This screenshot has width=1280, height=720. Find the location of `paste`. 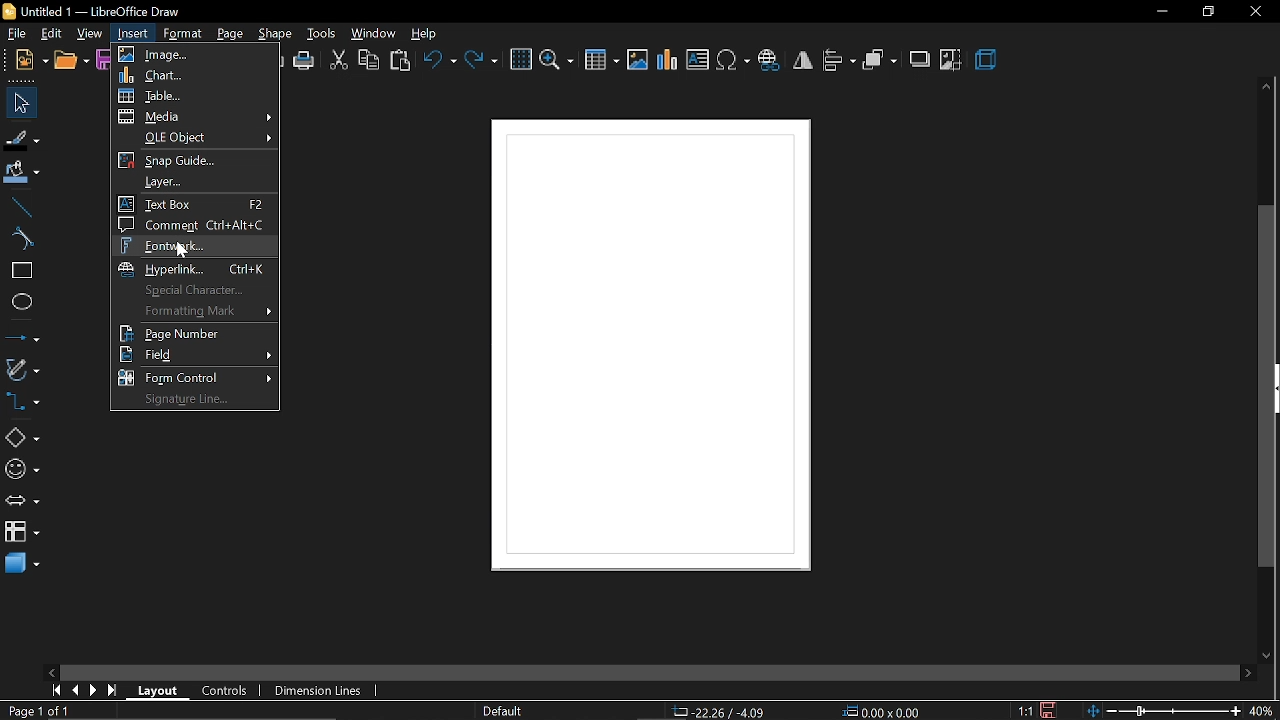

paste is located at coordinates (402, 60).